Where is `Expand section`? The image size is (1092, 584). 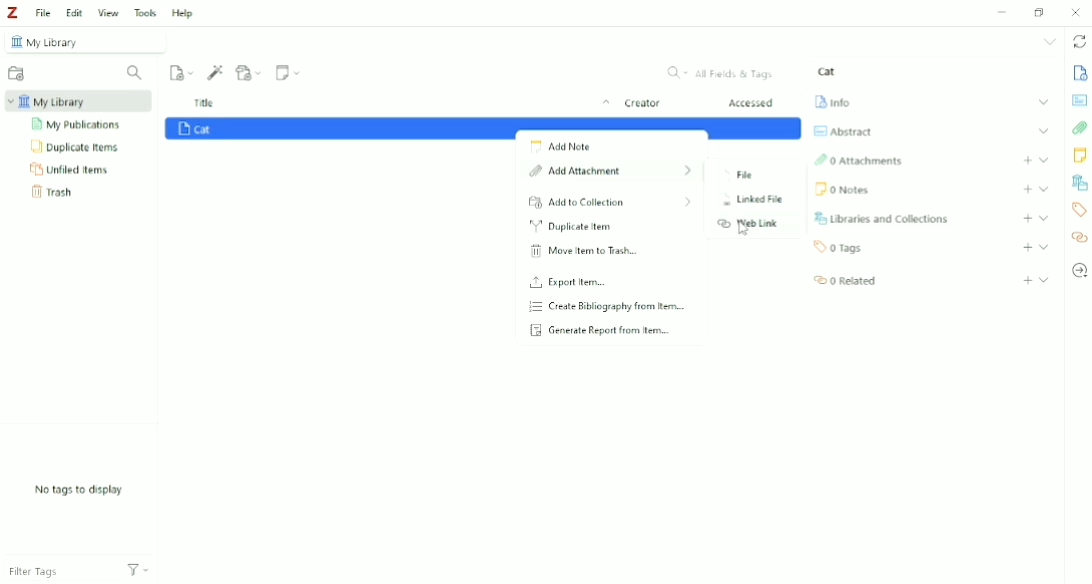 Expand section is located at coordinates (1044, 247).